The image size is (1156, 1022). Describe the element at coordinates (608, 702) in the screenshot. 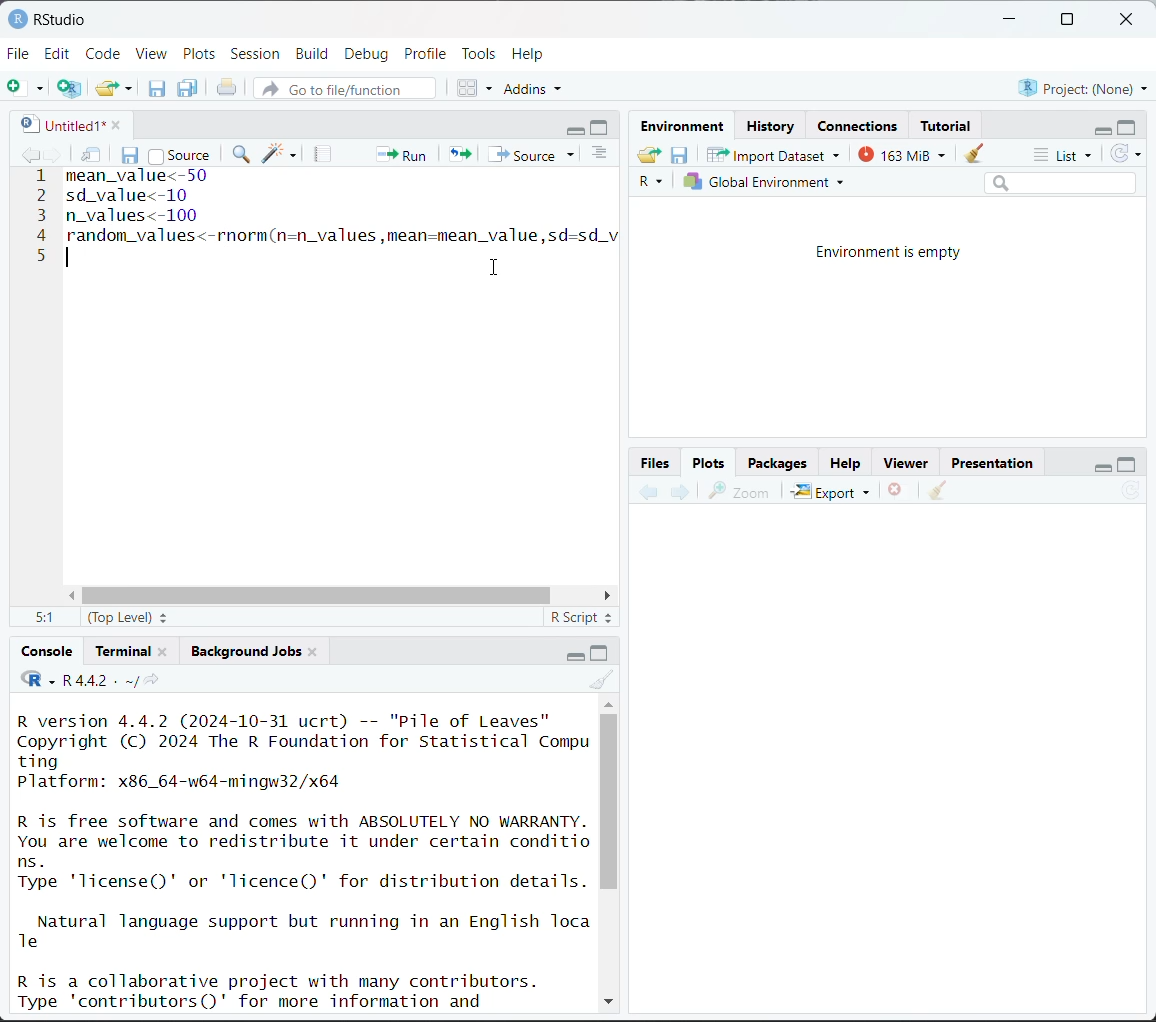

I see `up` at that location.